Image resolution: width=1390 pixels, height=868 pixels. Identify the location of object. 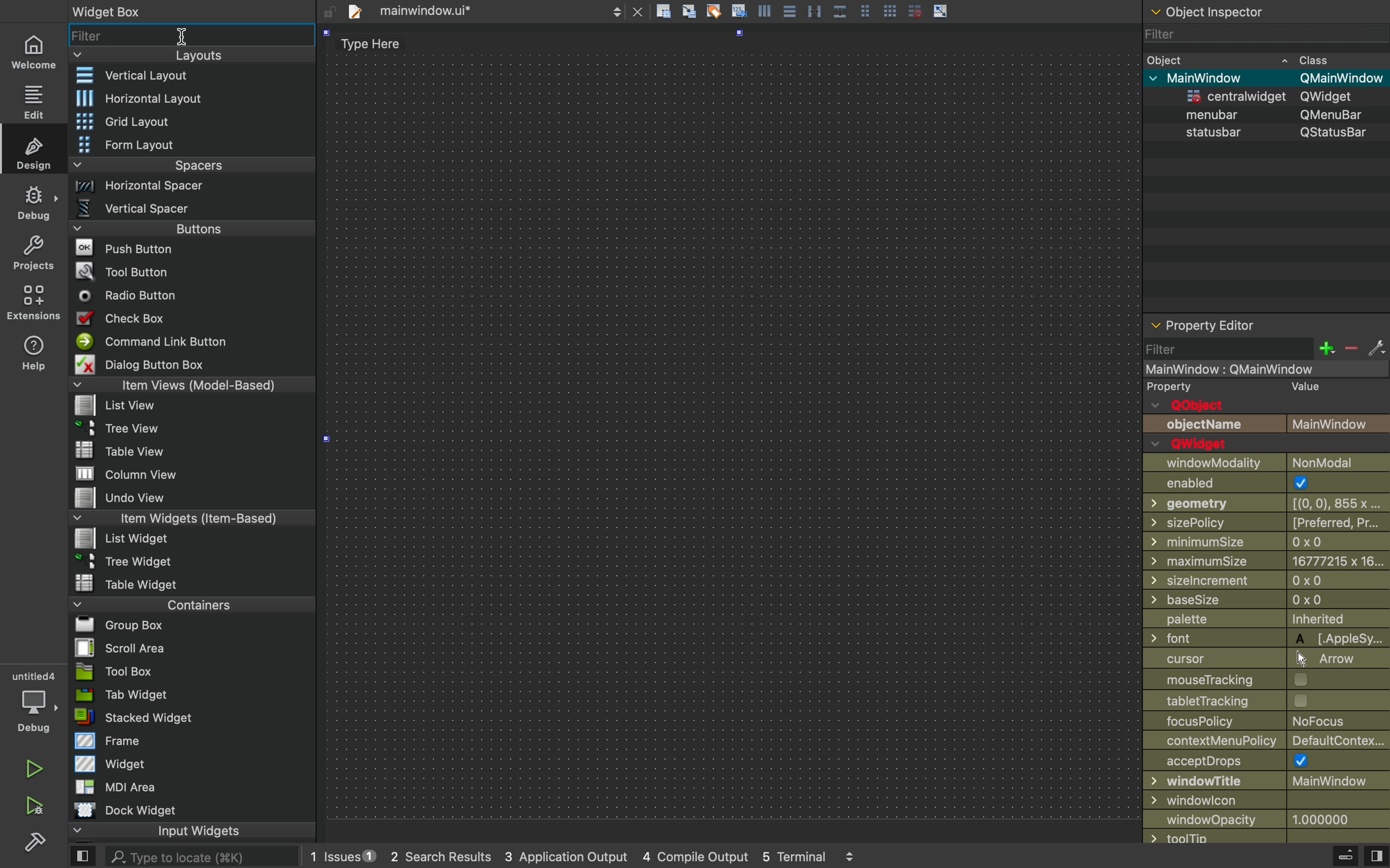
(1265, 57).